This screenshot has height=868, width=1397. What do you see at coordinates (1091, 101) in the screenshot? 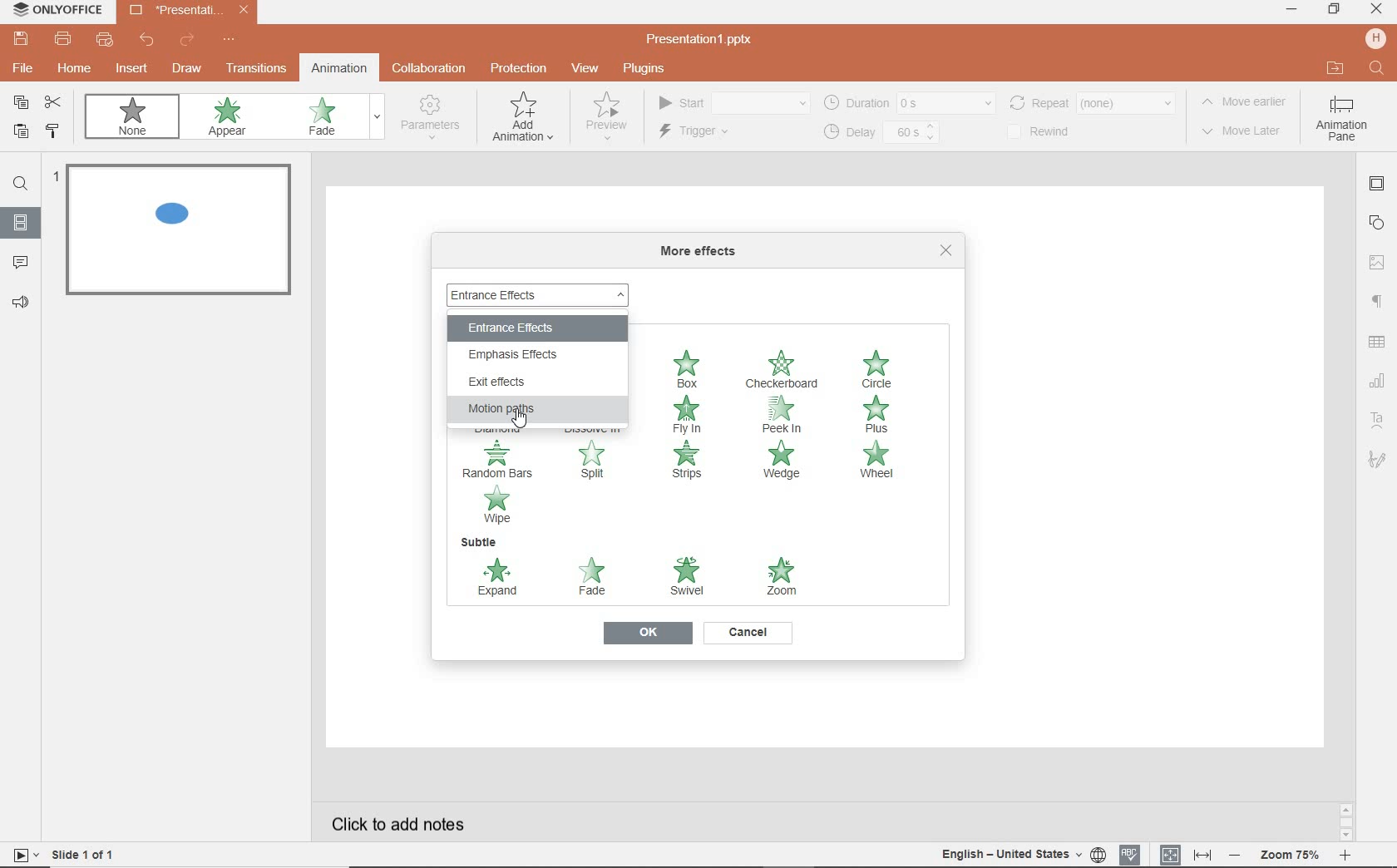
I see `rewind` at bounding box center [1091, 101].